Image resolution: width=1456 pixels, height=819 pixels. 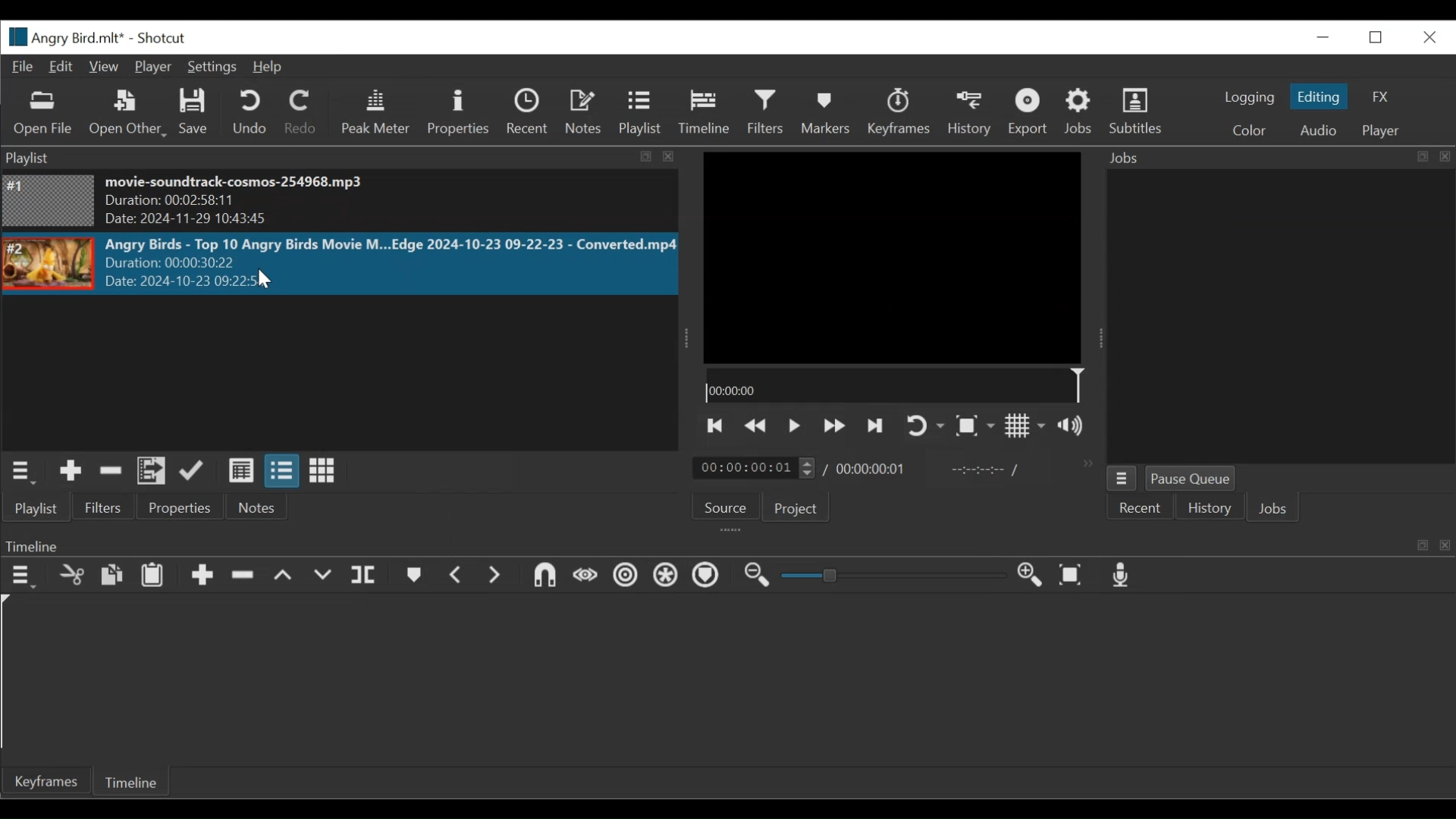 I want to click on Player, so click(x=151, y=67).